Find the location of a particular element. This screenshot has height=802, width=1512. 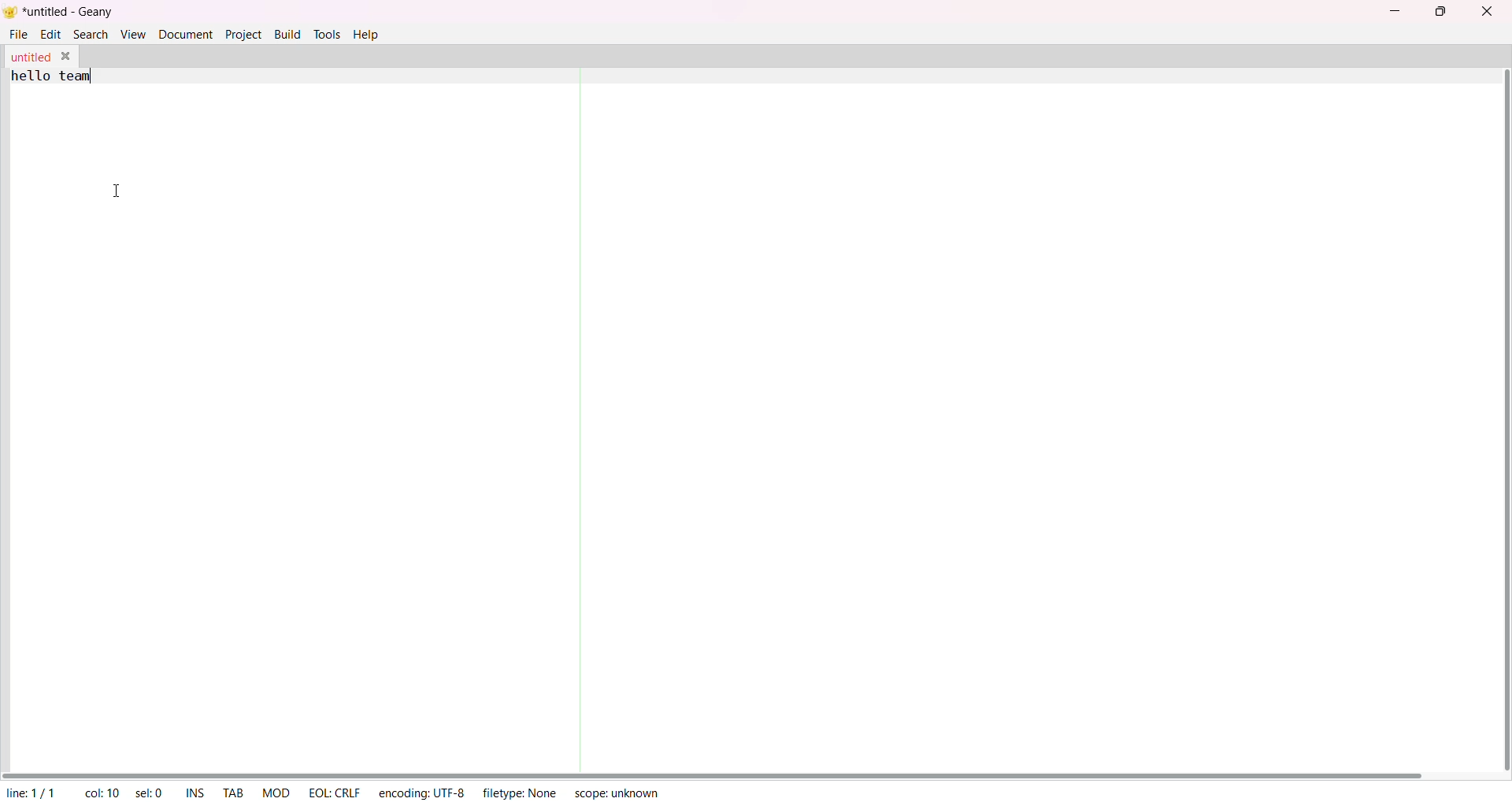

horizontal scroll bar is located at coordinates (739, 772).